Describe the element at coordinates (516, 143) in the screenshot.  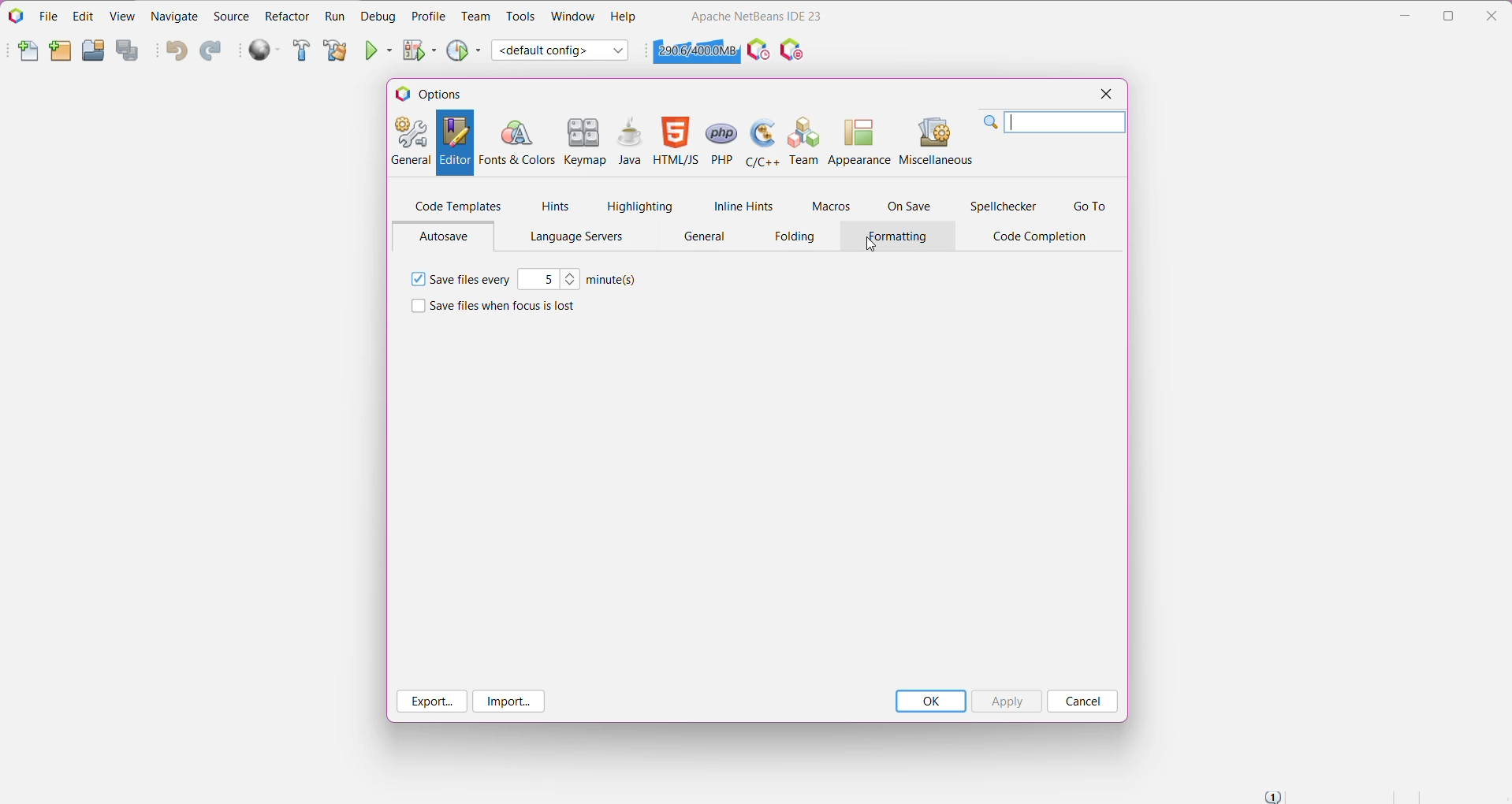
I see `Fonts and Colors` at that location.